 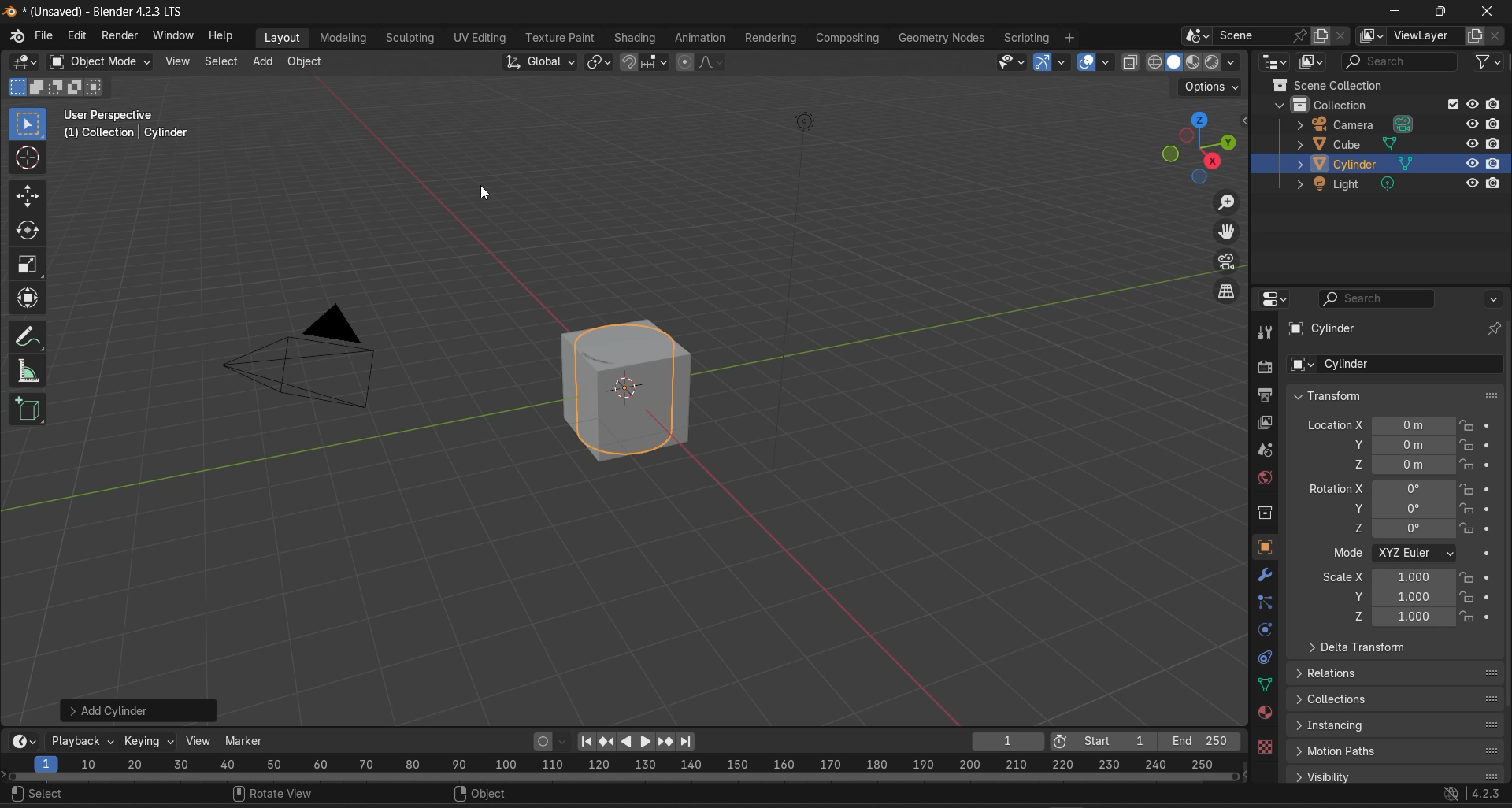 What do you see at coordinates (346, 35) in the screenshot?
I see `modeling` at bounding box center [346, 35].